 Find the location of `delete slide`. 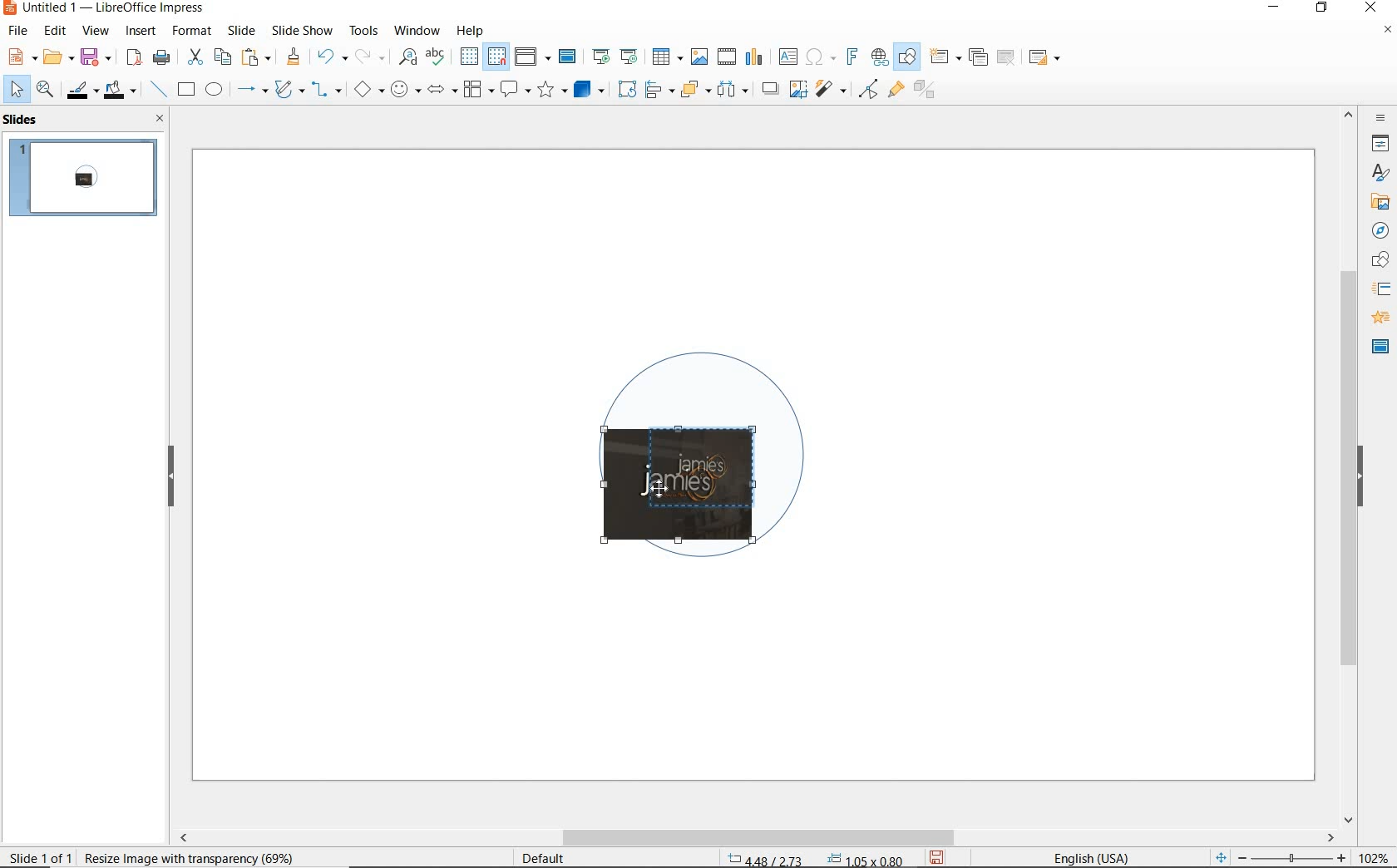

delete slide is located at coordinates (1006, 58).